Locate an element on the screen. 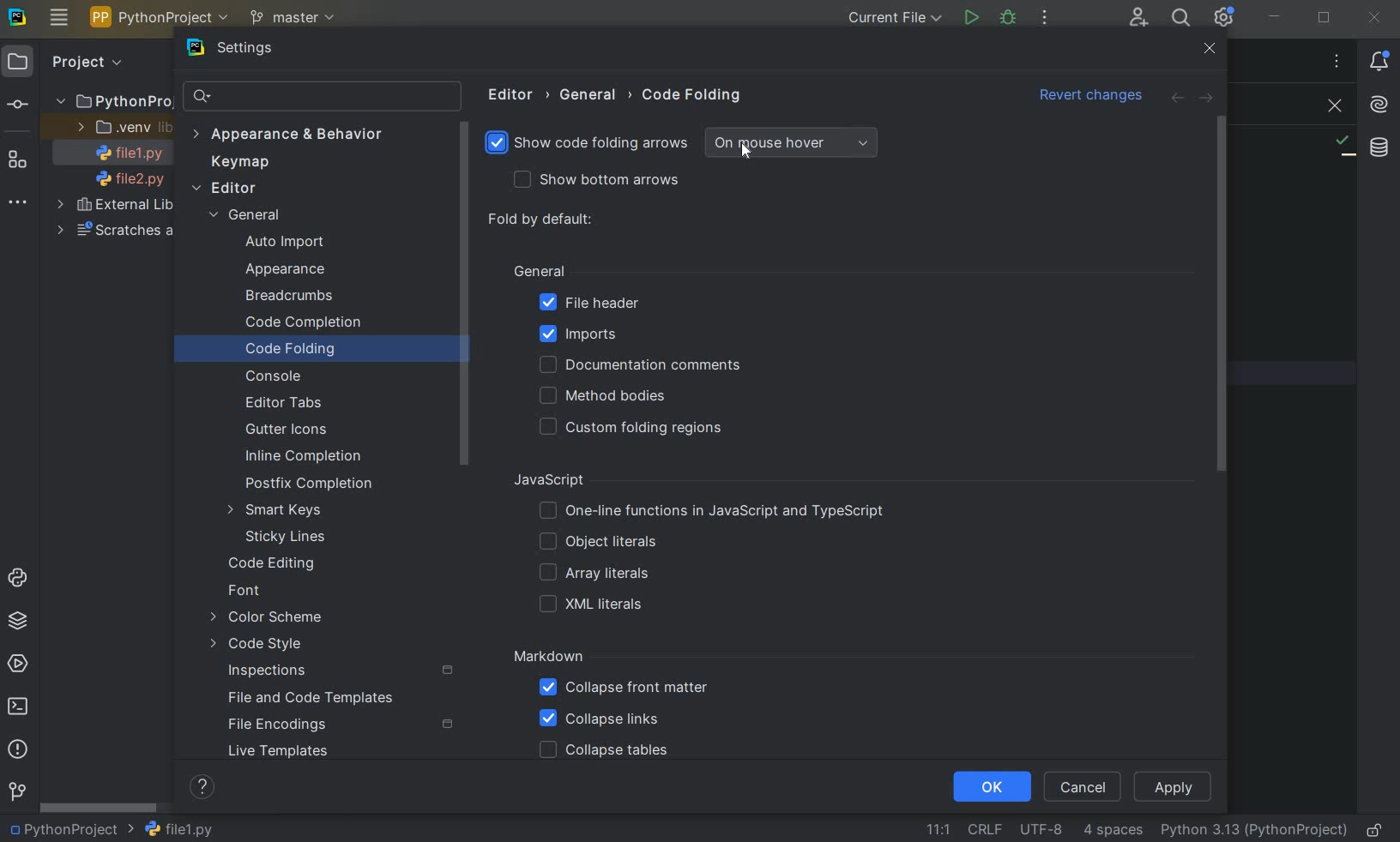 Image resolution: width=1400 pixels, height=842 pixels. INLINE COMPLETION is located at coordinates (307, 456).